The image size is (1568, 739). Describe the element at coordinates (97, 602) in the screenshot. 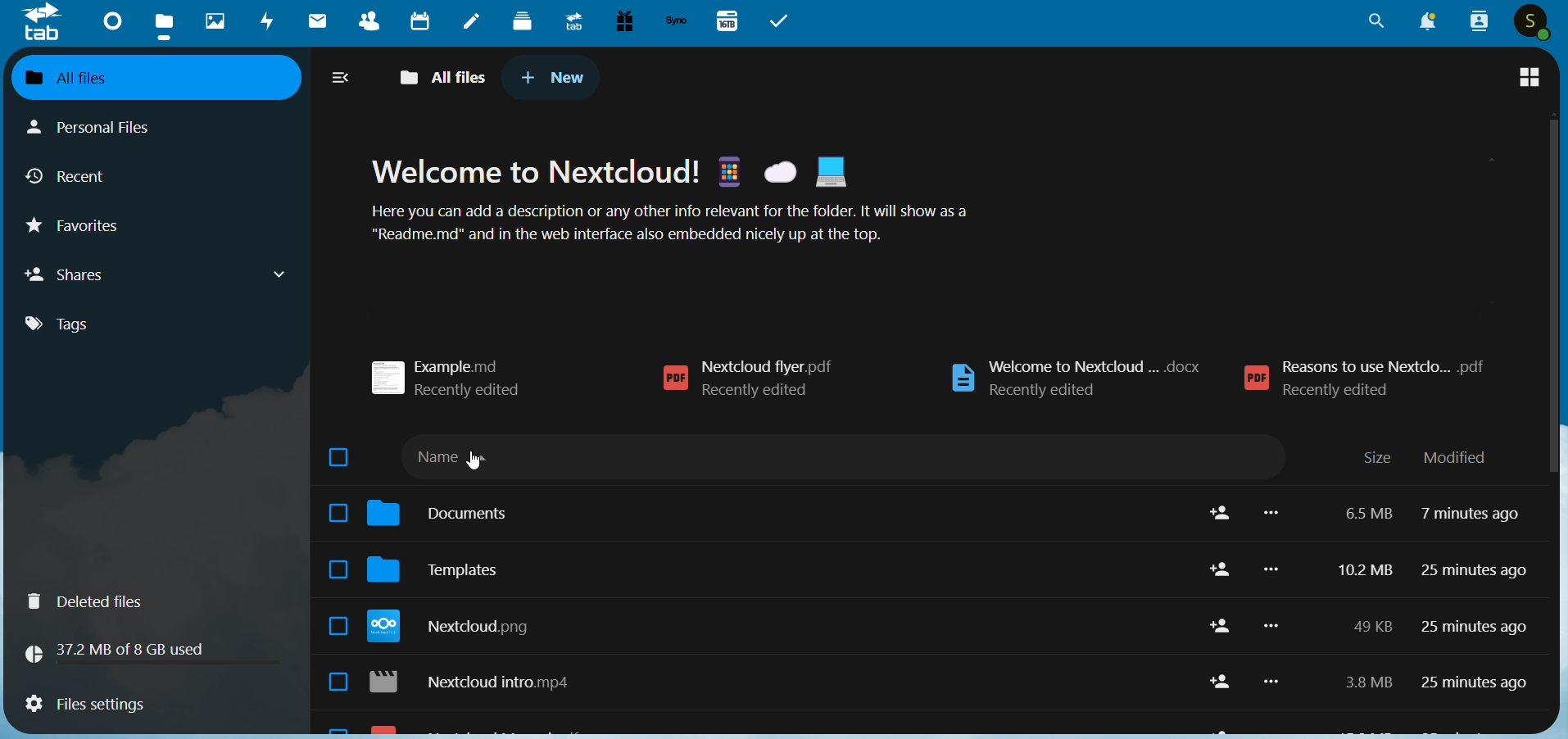

I see `Deleted Files` at that location.